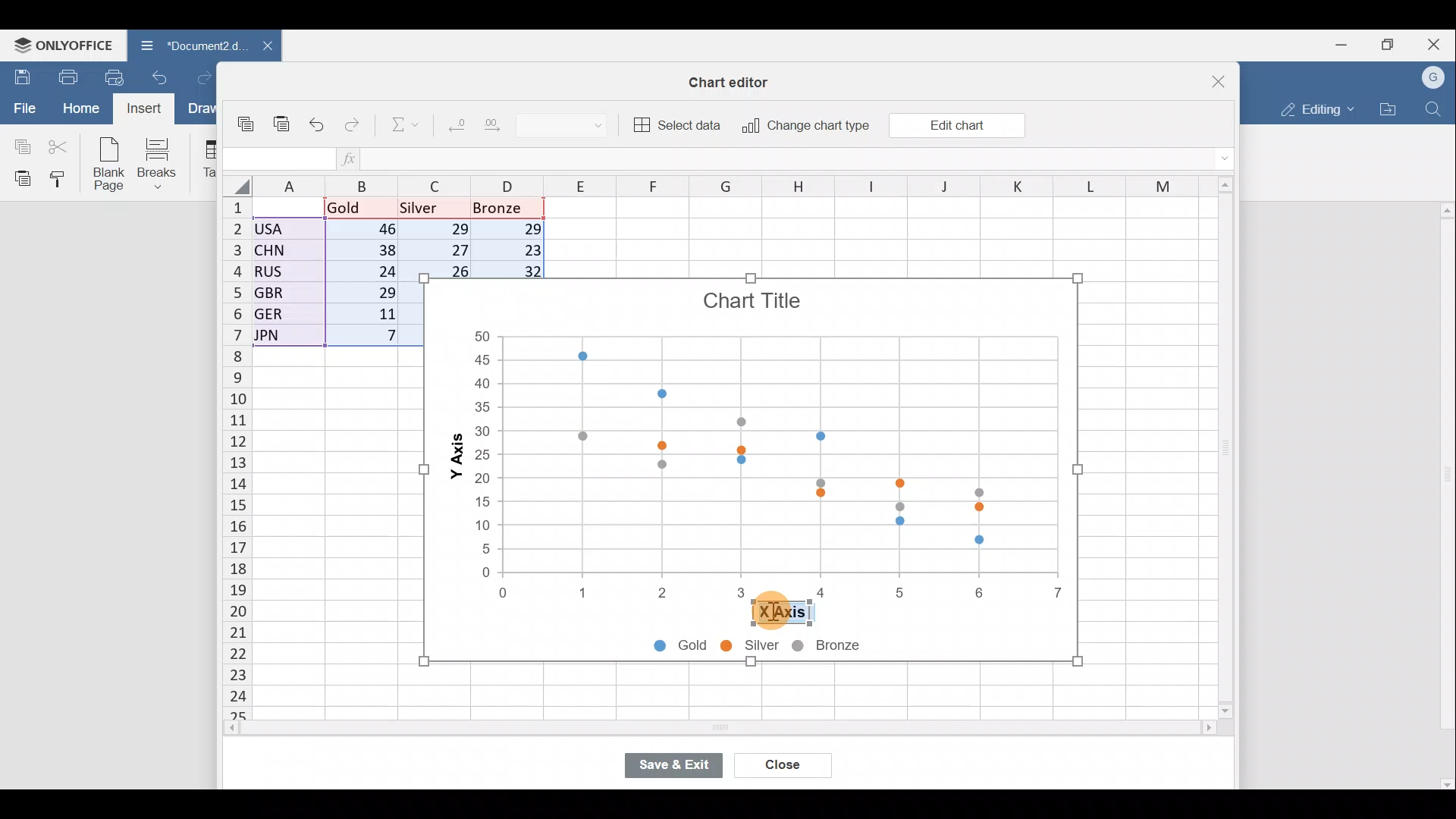 Image resolution: width=1456 pixels, height=819 pixels. Describe the element at coordinates (19, 178) in the screenshot. I see `Paste` at that location.